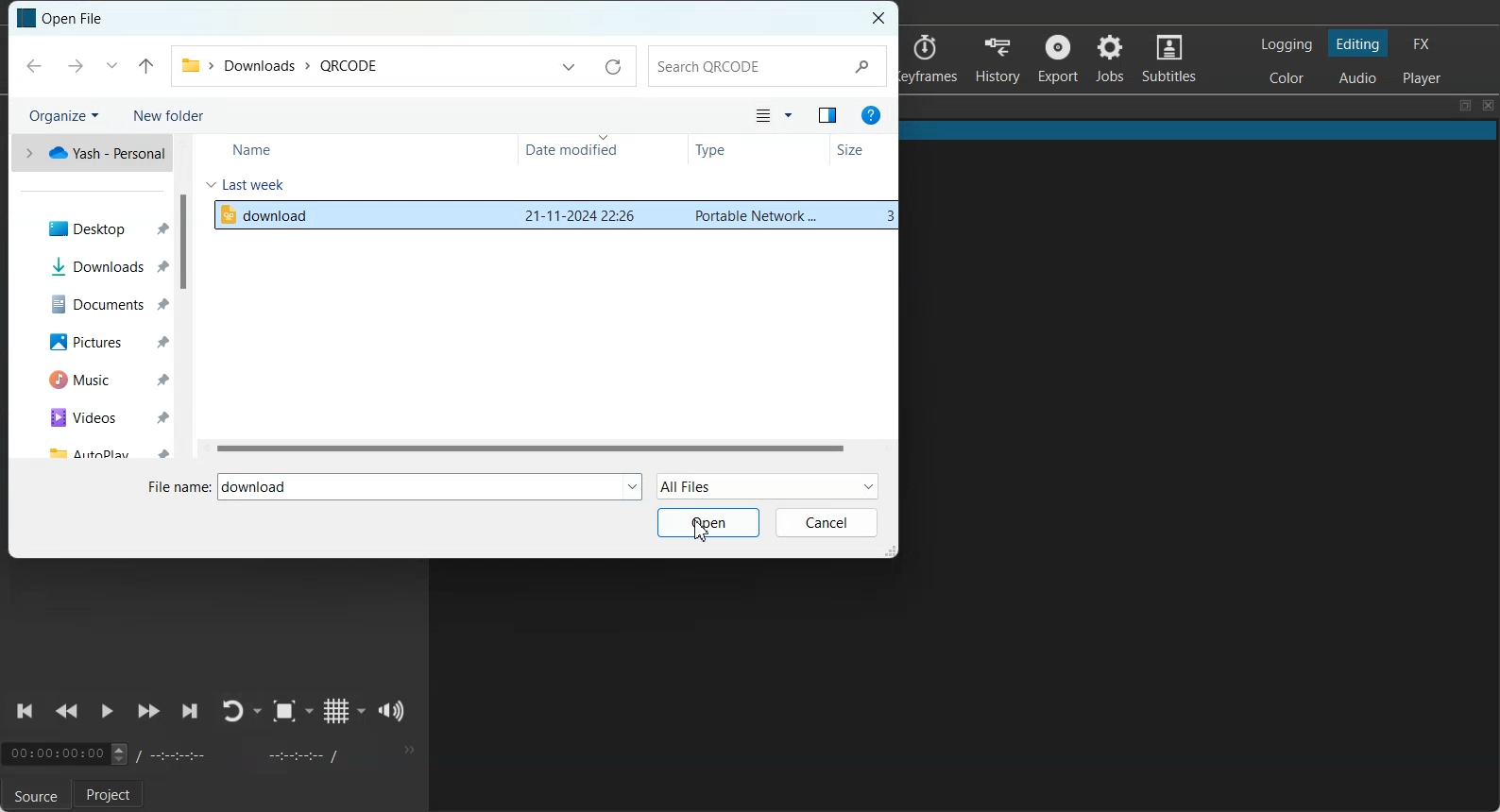  What do you see at coordinates (997, 59) in the screenshot?
I see `History` at bounding box center [997, 59].